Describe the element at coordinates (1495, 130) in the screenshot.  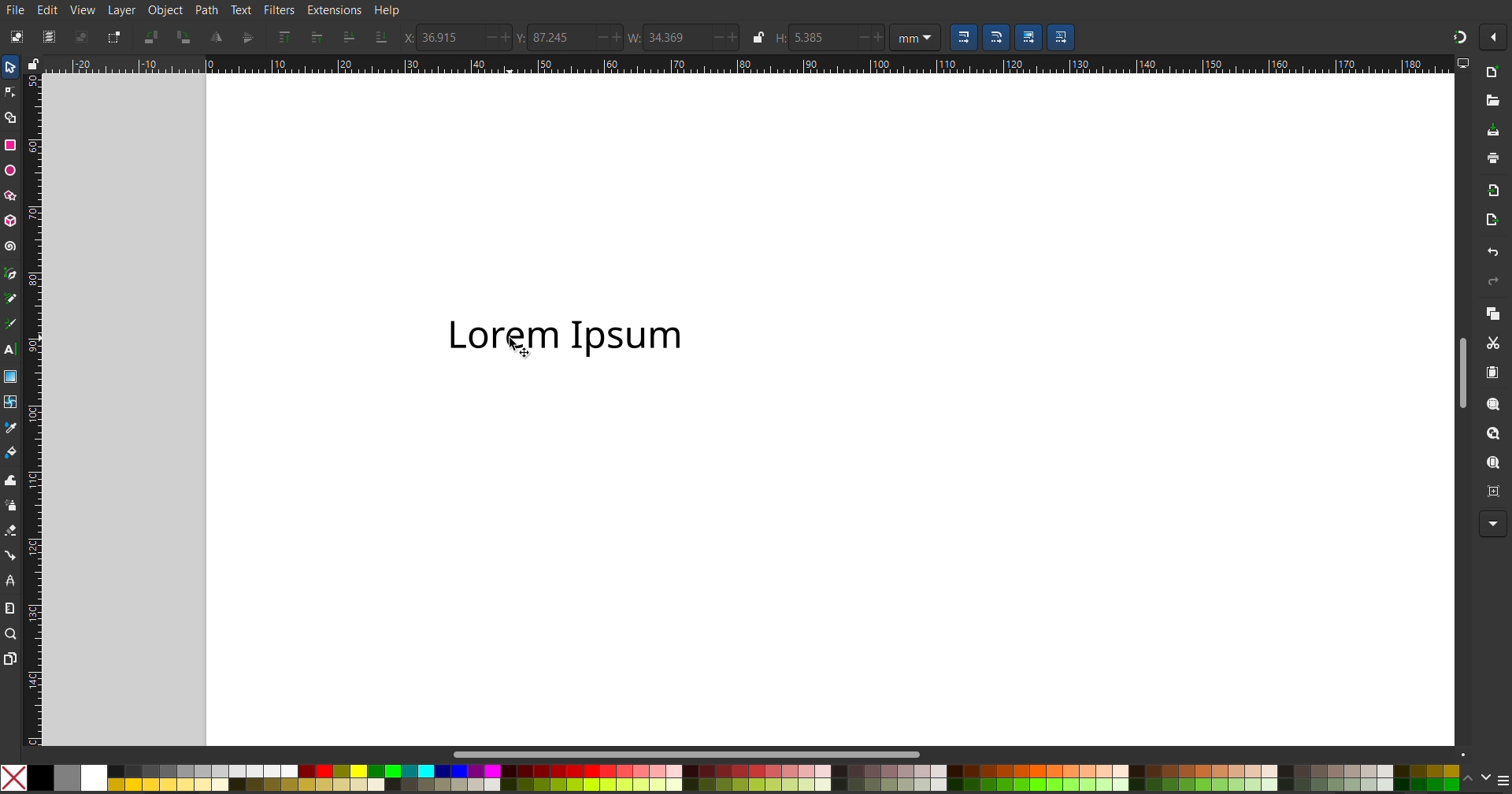
I see `Save` at that location.